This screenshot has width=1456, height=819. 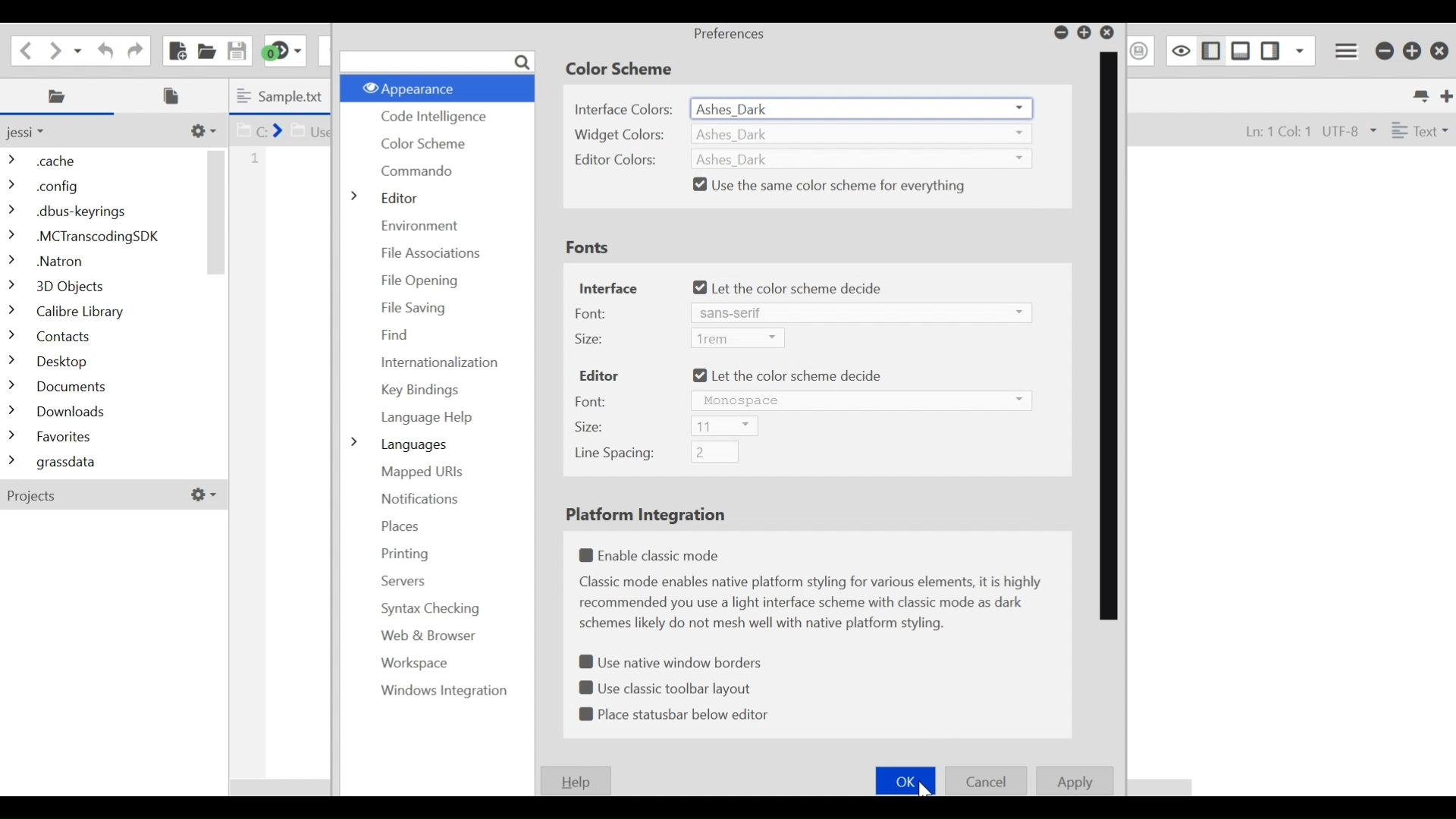 What do you see at coordinates (402, 580) in the screenshot?
I see `Servers` at bounding box center [402, 580].